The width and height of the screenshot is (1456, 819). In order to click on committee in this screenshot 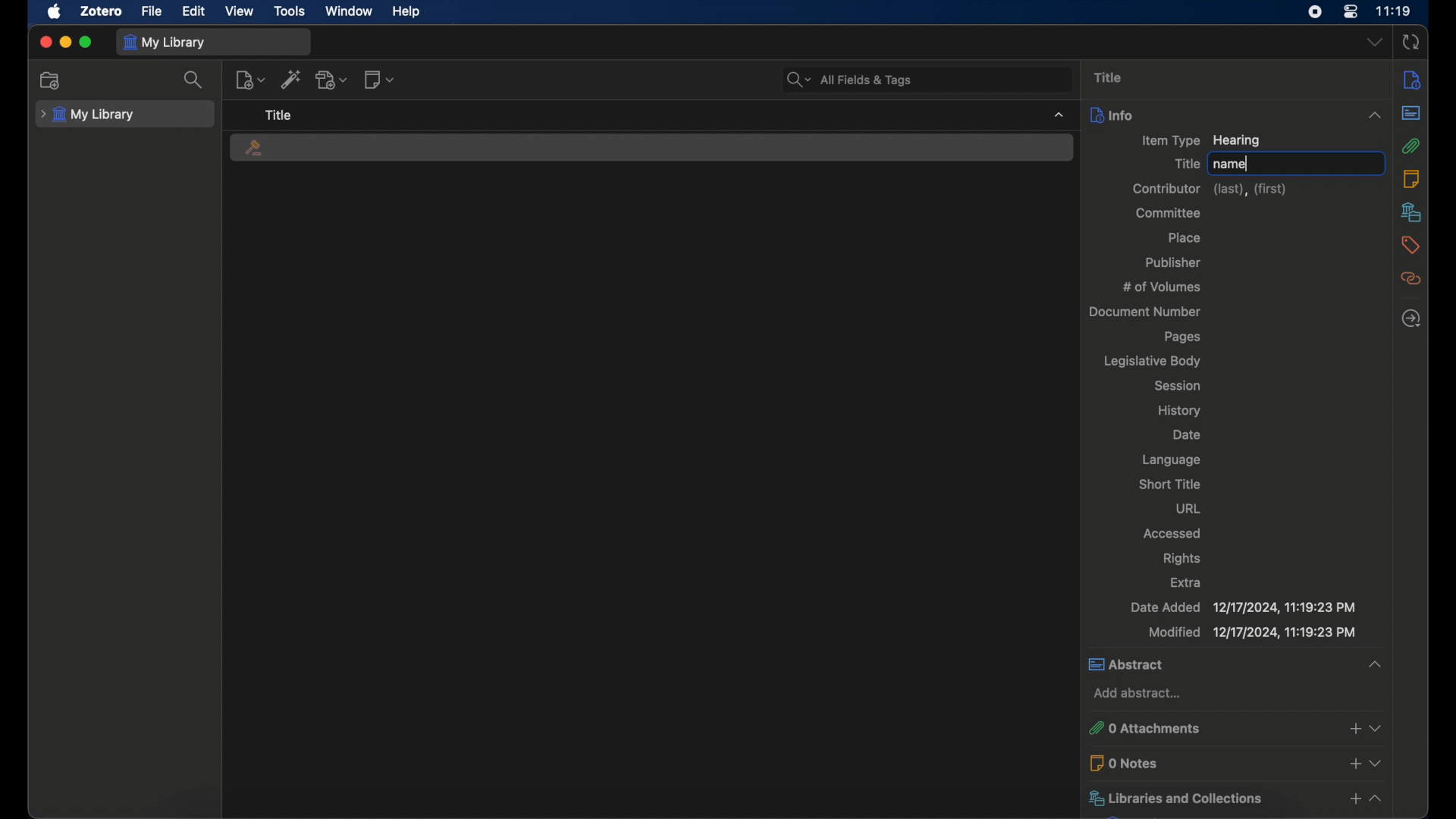, I will do `click(1168, 212)`.